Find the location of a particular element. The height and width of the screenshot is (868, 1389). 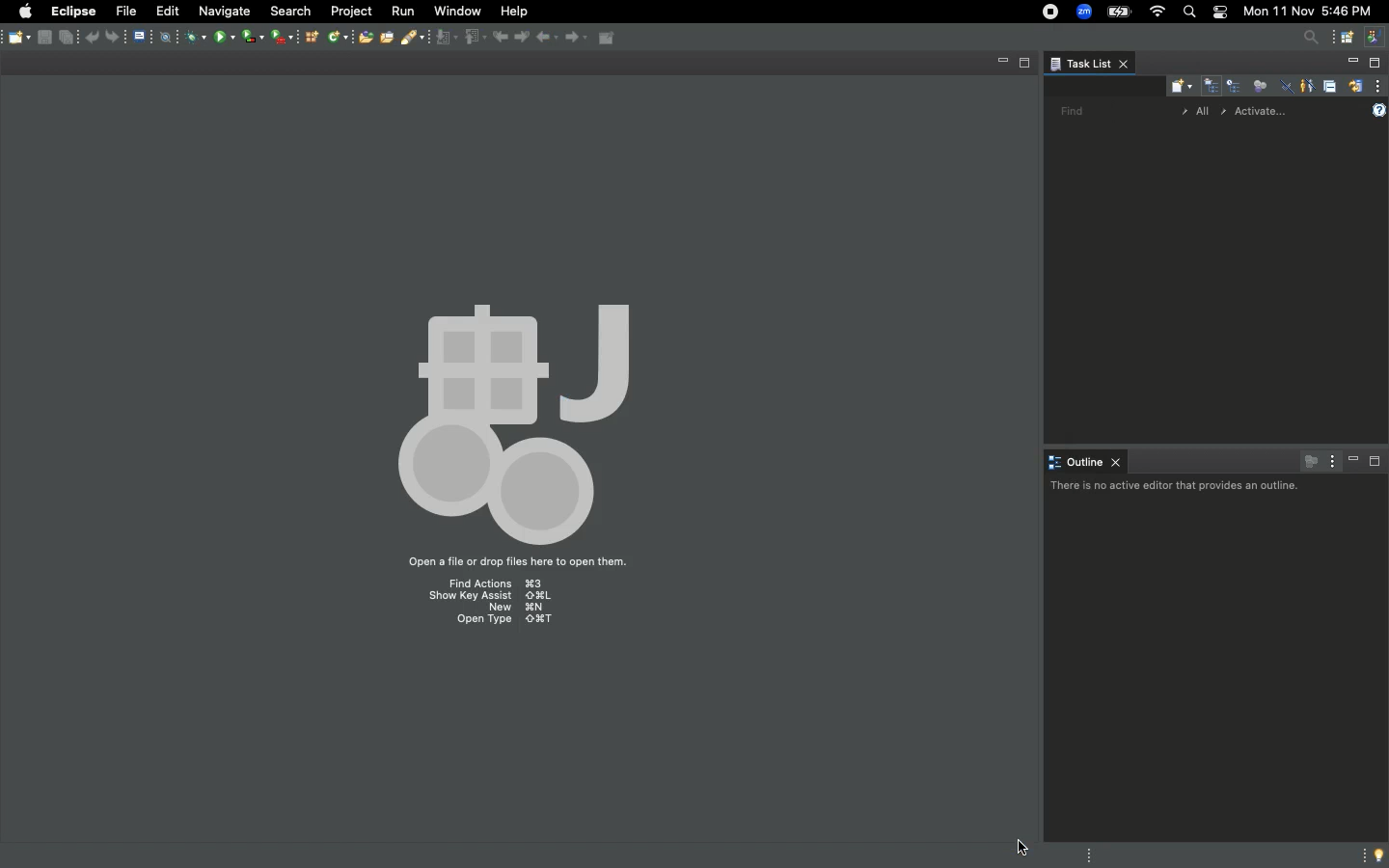

Next is located at coordinates (572, 40).